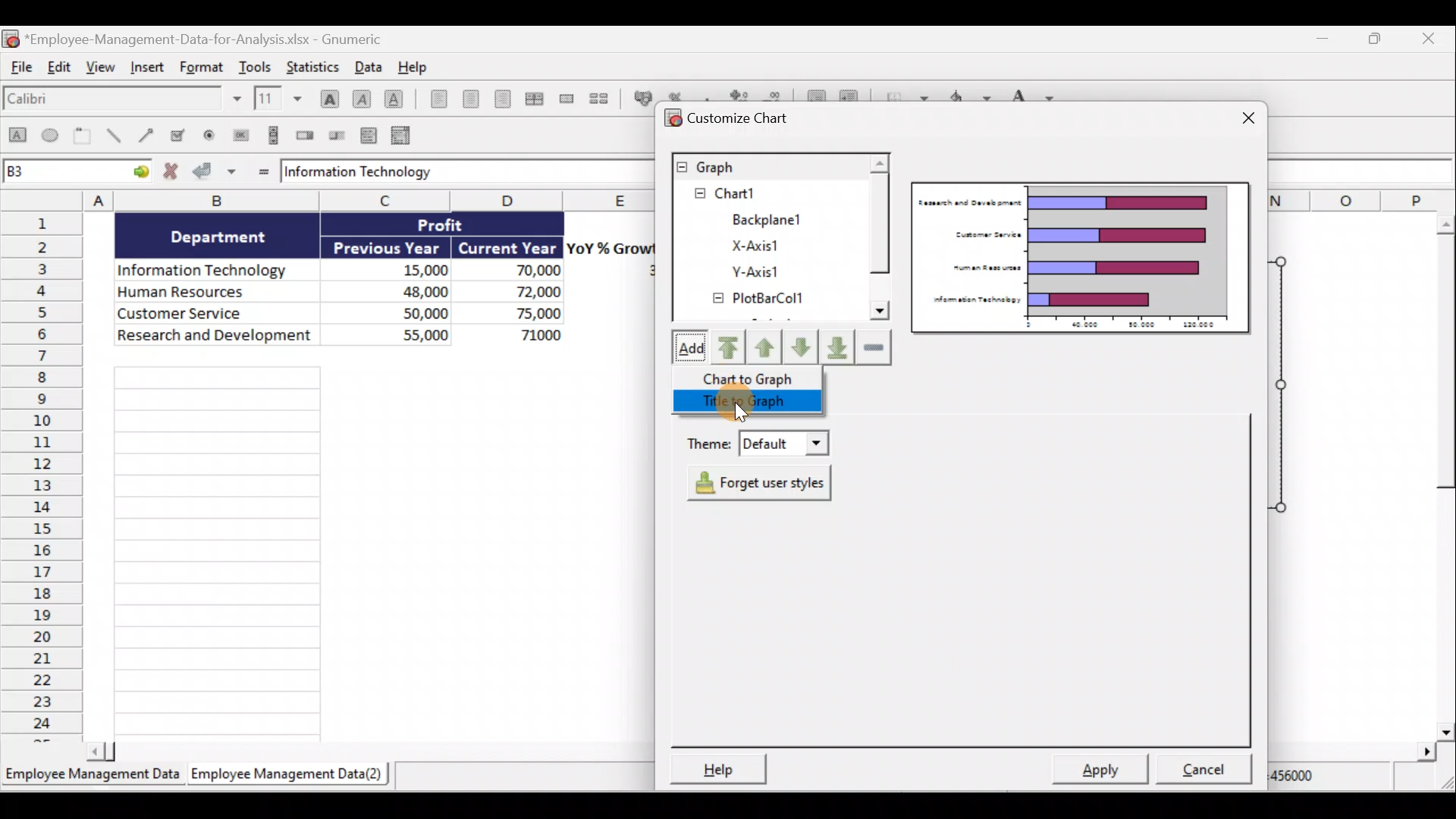 This screenshot has width=1456, height=819. What do you see at coordinates (522, 271) in the screenshot?
I see `70,000` at bounding box center [522, 271].